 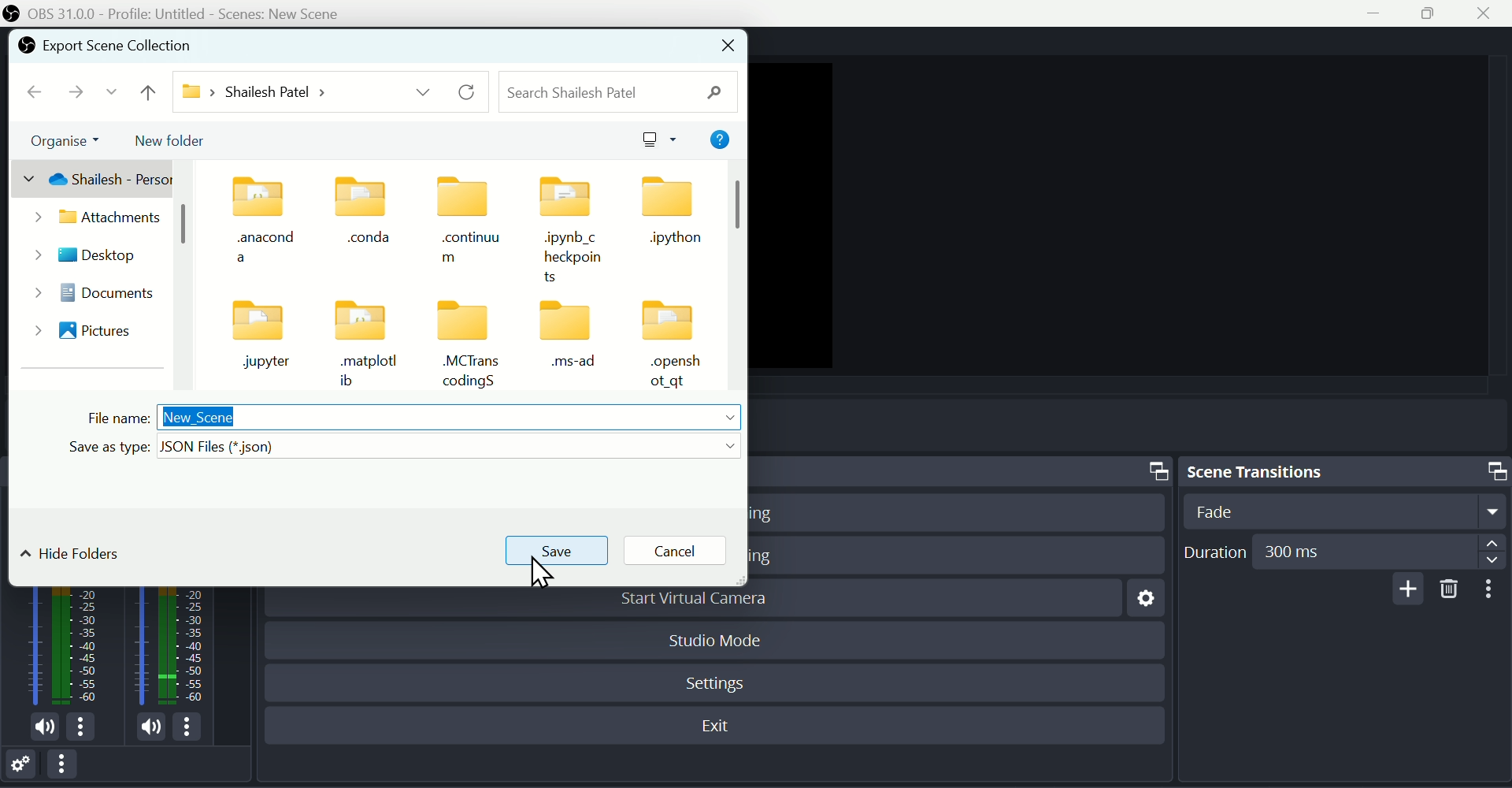 I want to click on Close, so click(x=1492, y=13).